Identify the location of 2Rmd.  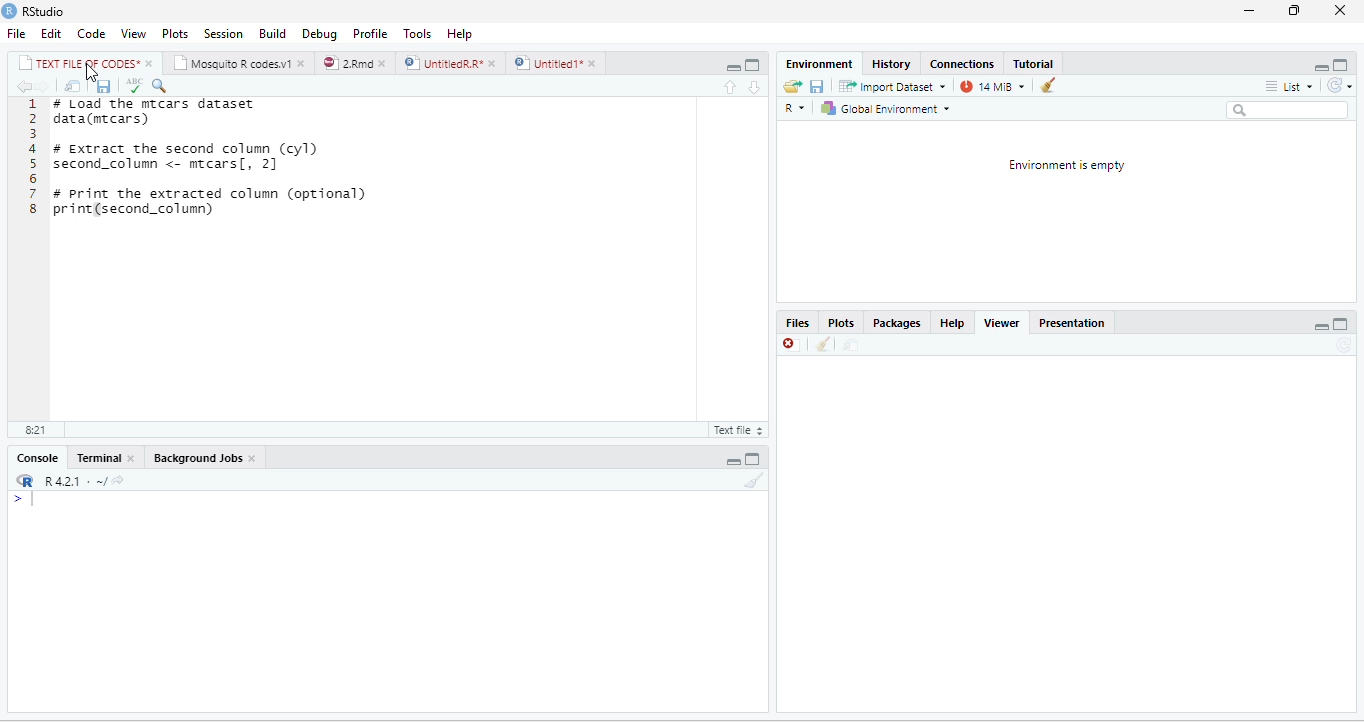
(346, 63).